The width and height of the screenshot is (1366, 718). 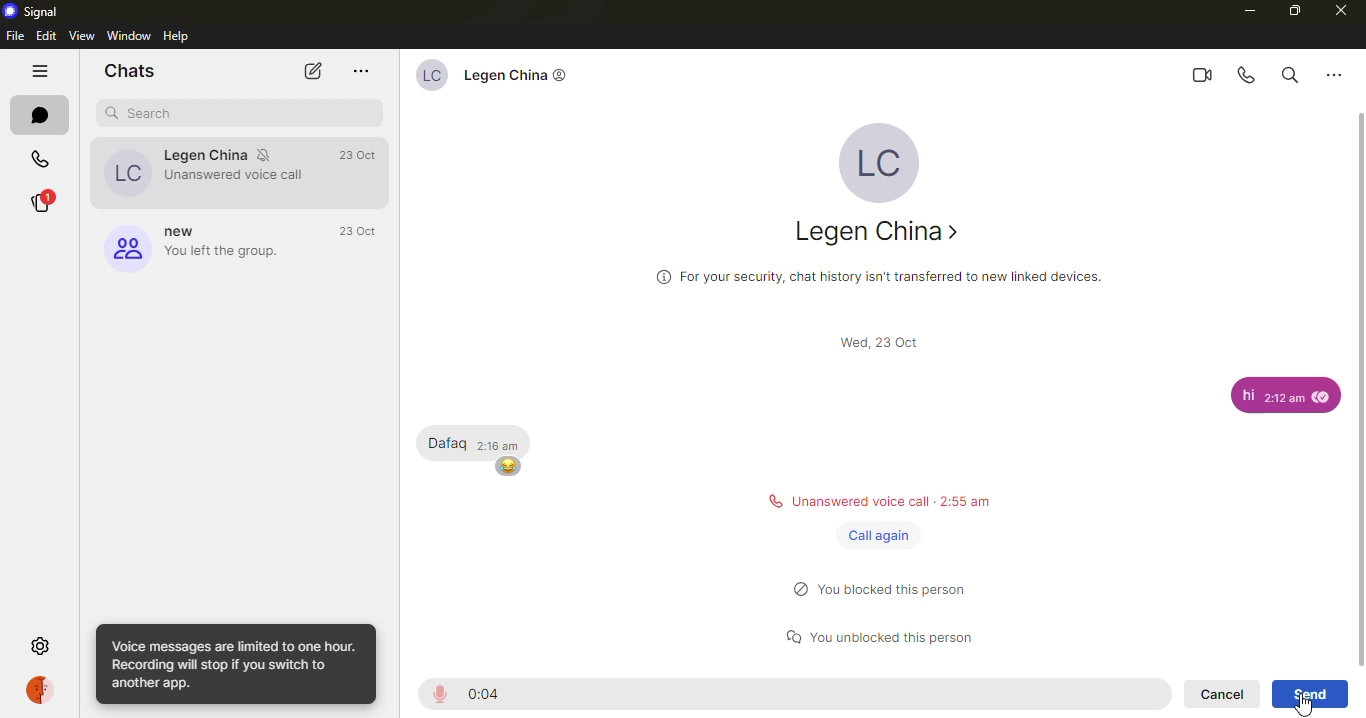 I want to click on edit, so click(x=48, y=36).